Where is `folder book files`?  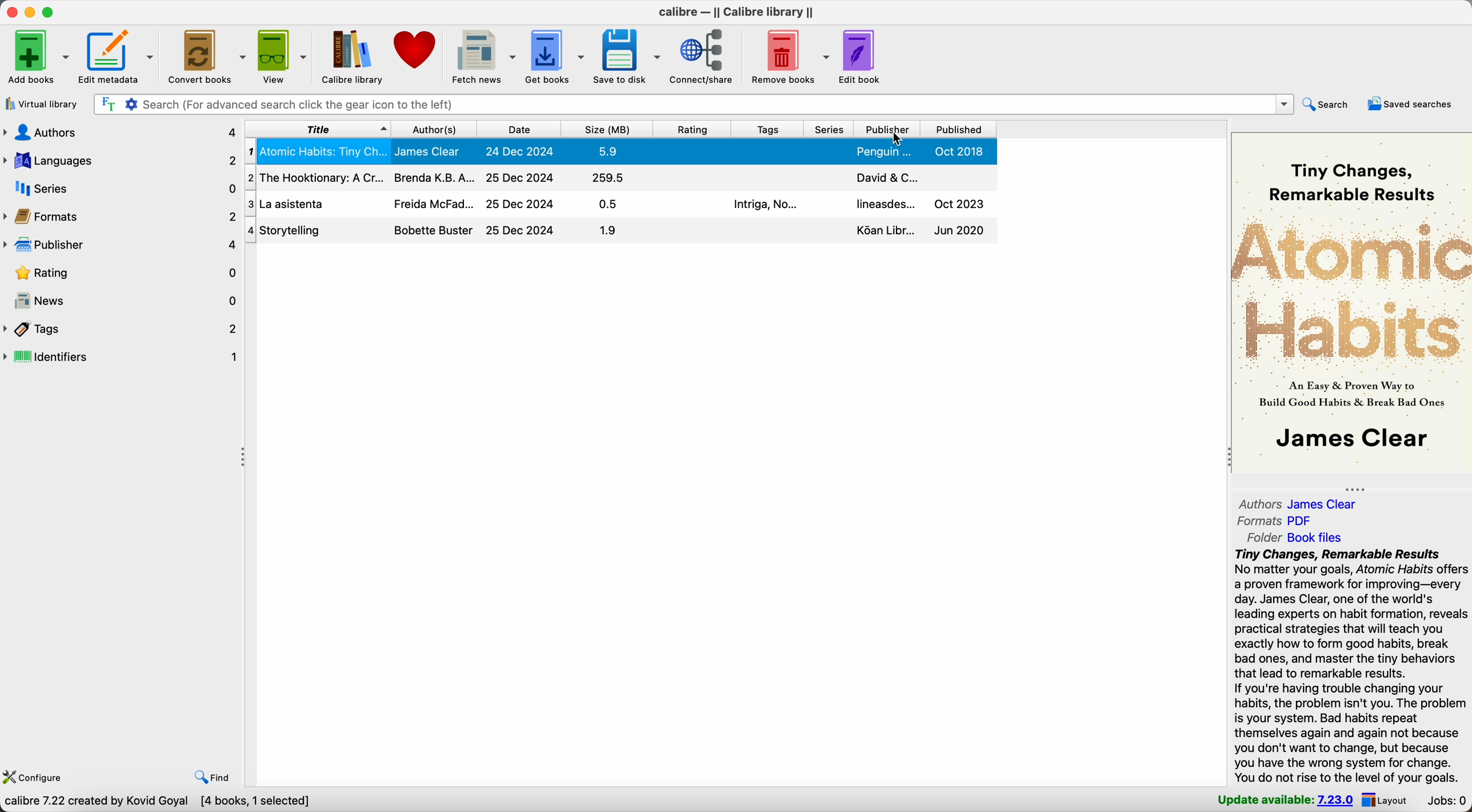
folder book files is located at coordinates (1293, 537).